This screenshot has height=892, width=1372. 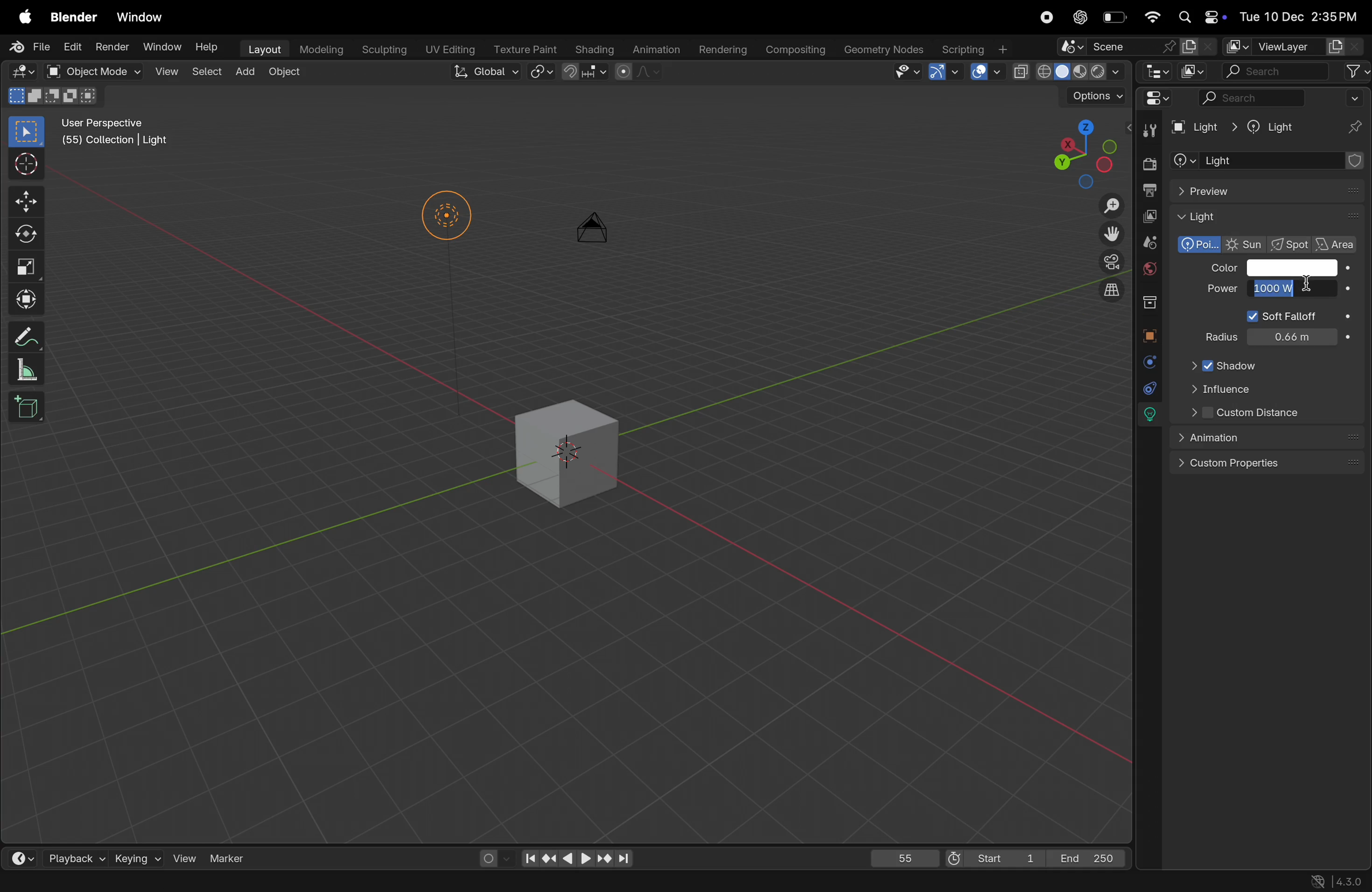 What do you see at coordinates (28, 882) in the screenshot?
I see `select` at bounding box center [28, 882].